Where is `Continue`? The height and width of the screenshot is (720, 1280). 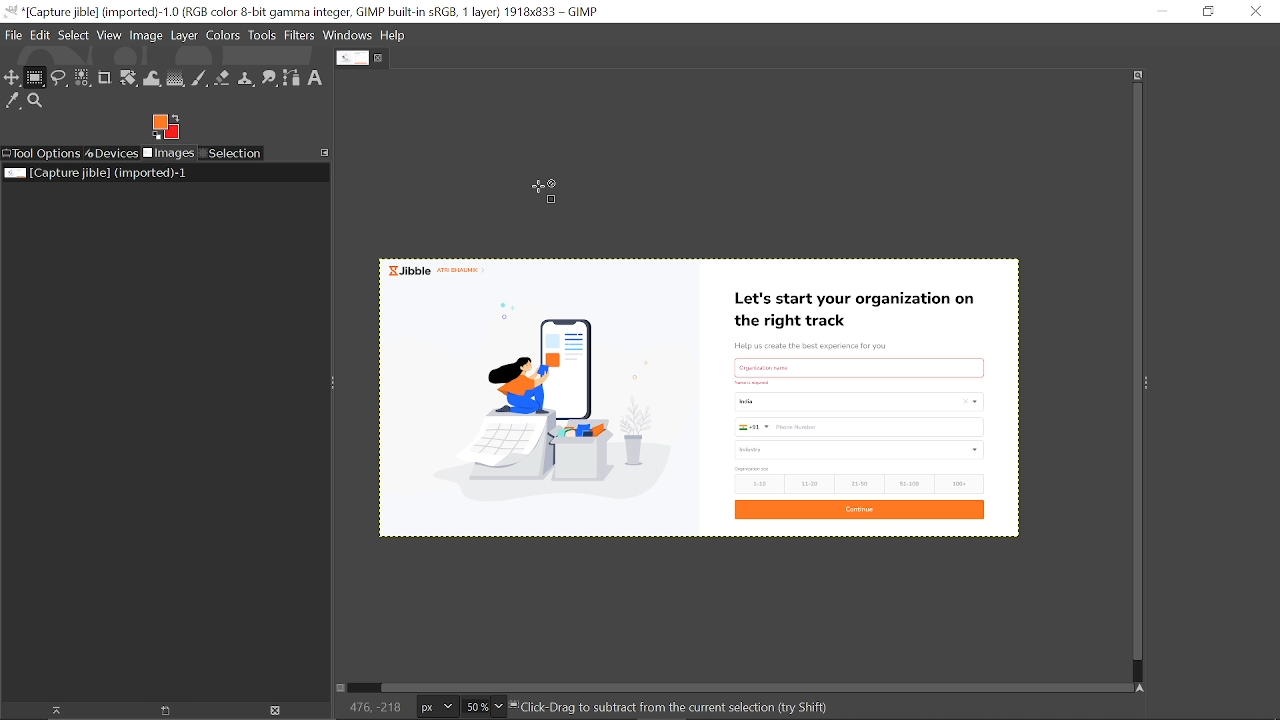
Continue is located at coordinates (860, 510).